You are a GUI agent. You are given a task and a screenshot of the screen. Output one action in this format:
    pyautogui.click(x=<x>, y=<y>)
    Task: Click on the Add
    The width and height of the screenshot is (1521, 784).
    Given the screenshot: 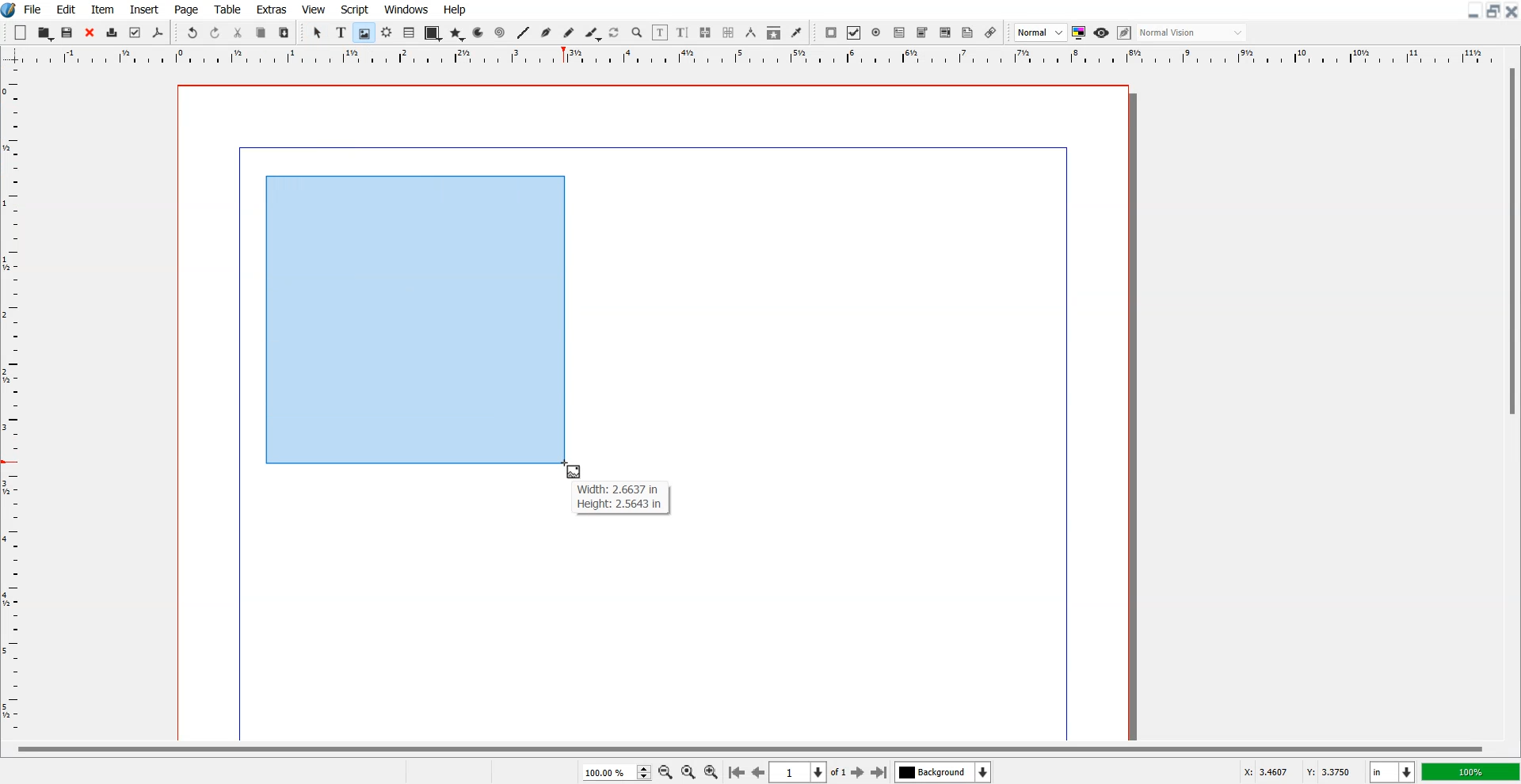 What is the action you would take?
    pyautogui.click(x=21, y=32)
    